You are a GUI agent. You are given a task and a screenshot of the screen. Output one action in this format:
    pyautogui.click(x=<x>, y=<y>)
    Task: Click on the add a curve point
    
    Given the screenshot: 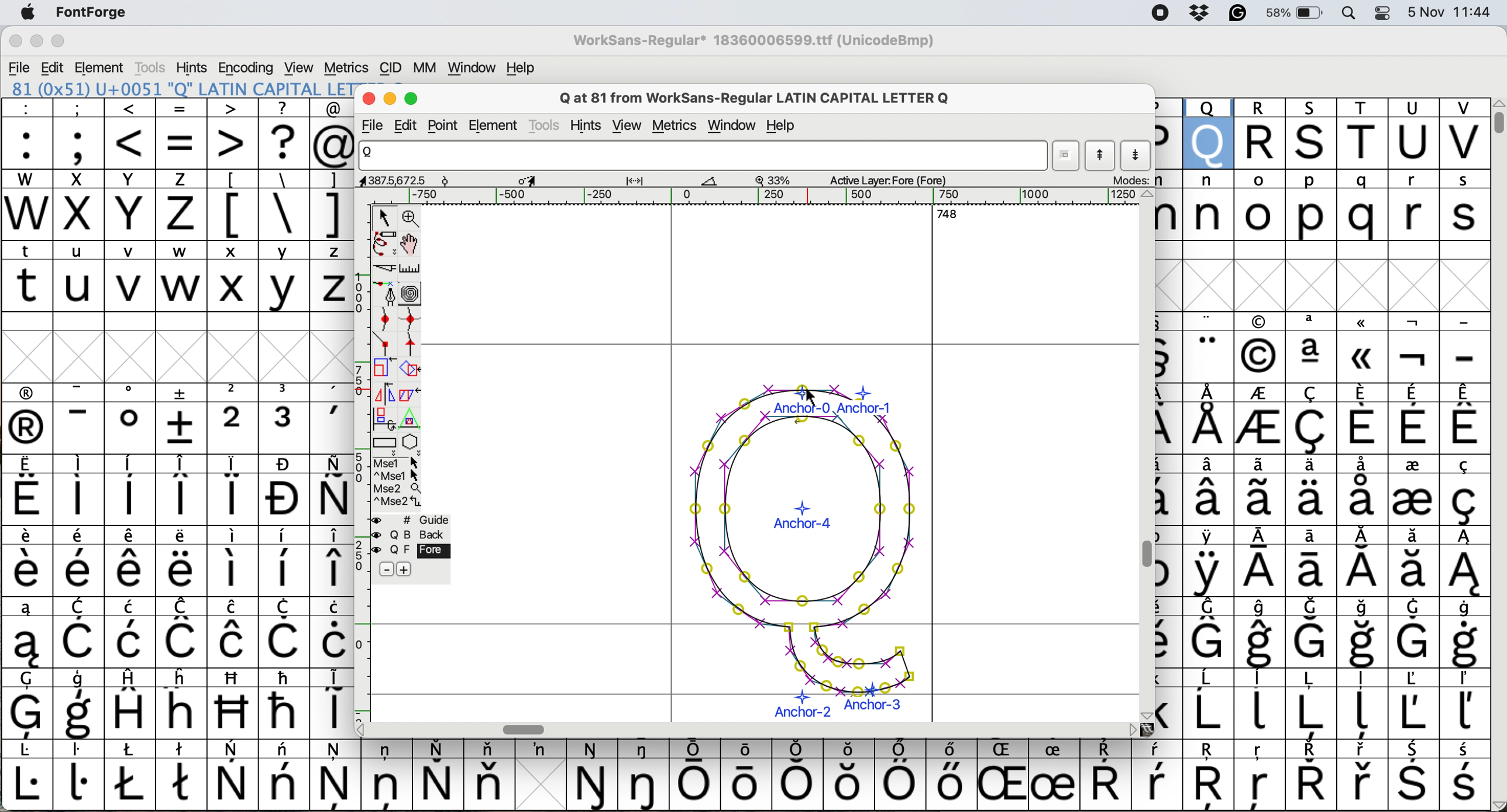 What is the action you would take?
    pyautogui.click(x=383, y=319)
    